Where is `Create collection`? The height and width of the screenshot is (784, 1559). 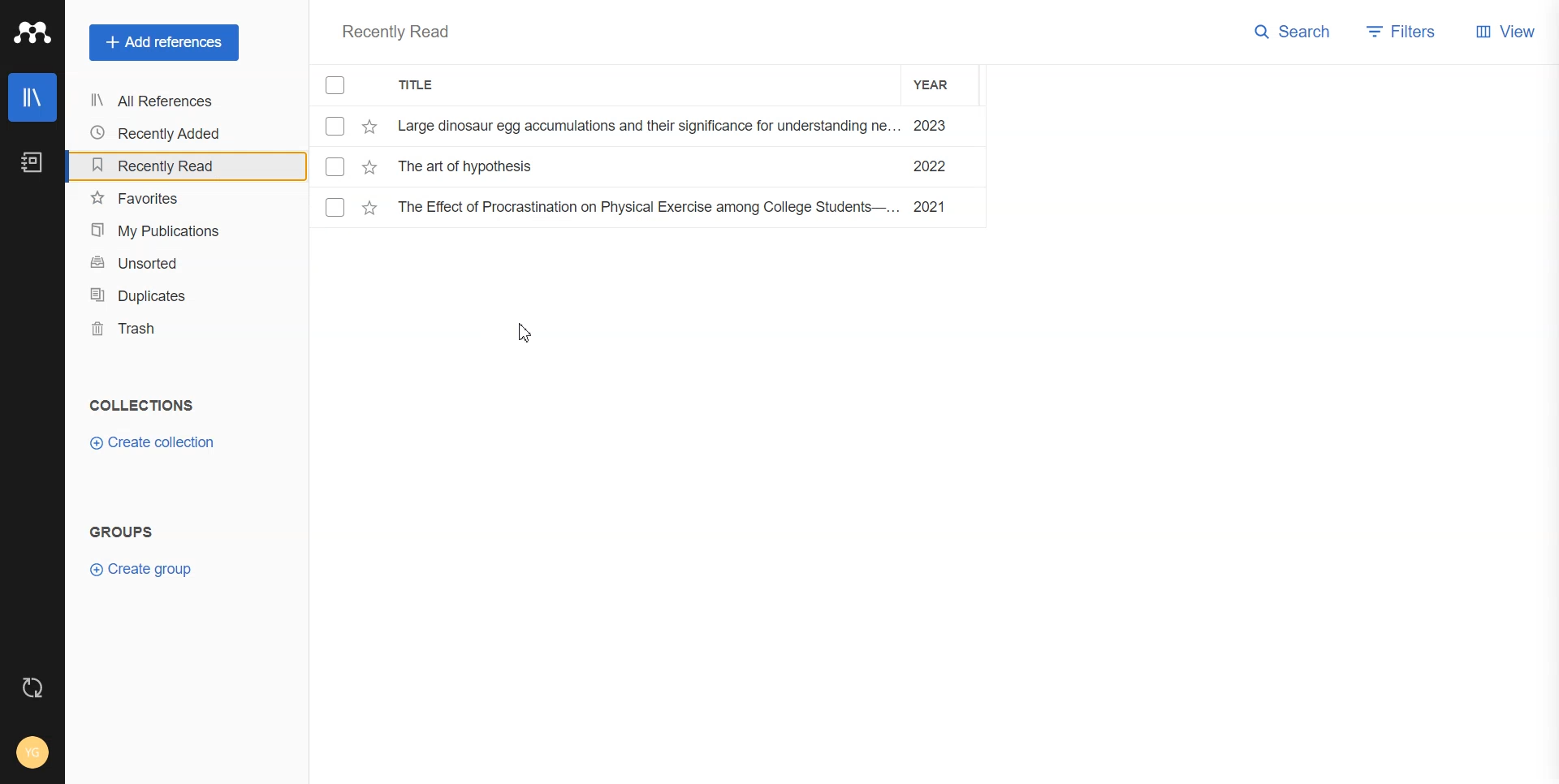
Create collection is located at coordinates (153, 443).